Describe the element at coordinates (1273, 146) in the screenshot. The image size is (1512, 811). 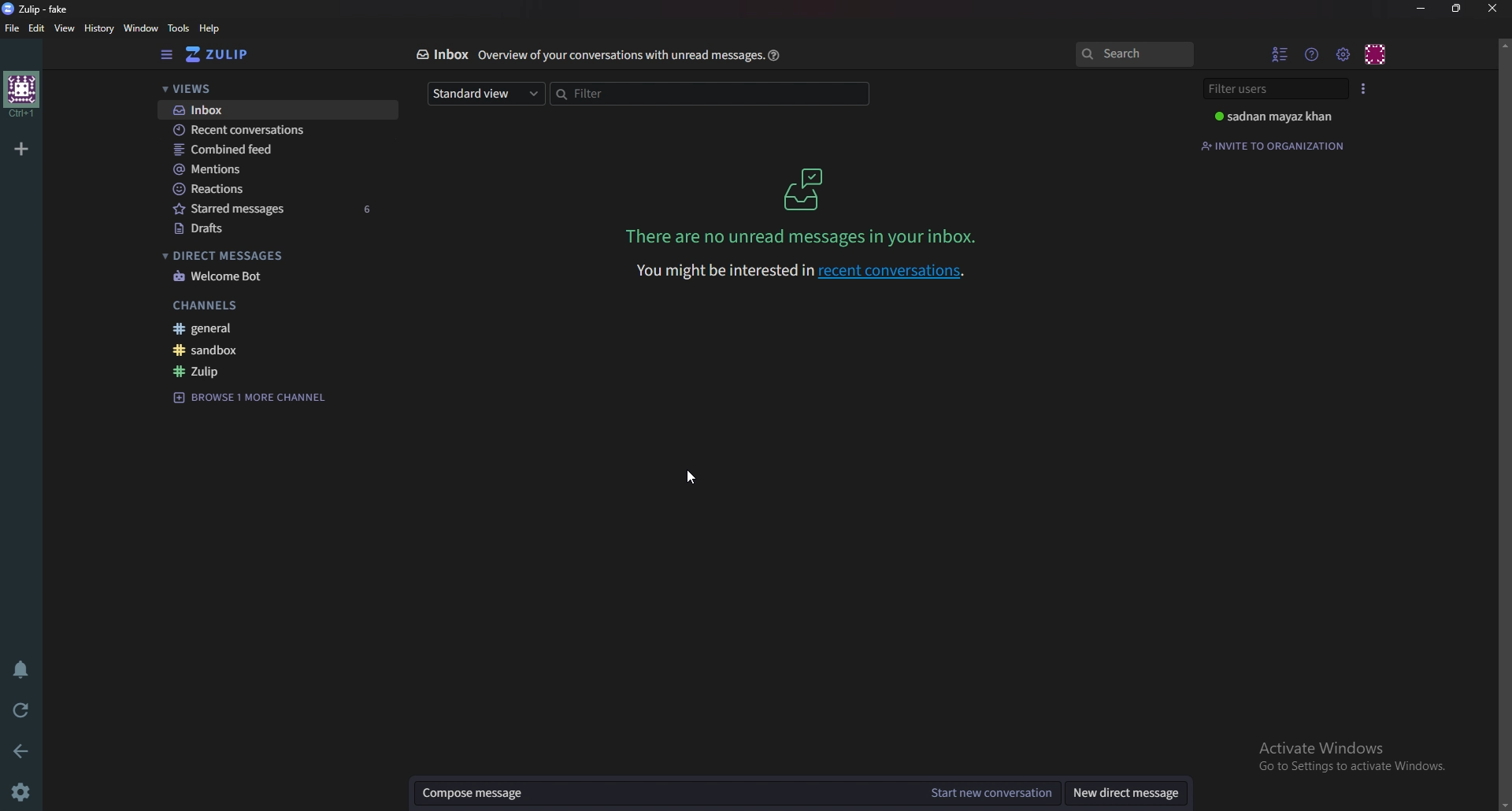
I see `Invite to organization` at that location.